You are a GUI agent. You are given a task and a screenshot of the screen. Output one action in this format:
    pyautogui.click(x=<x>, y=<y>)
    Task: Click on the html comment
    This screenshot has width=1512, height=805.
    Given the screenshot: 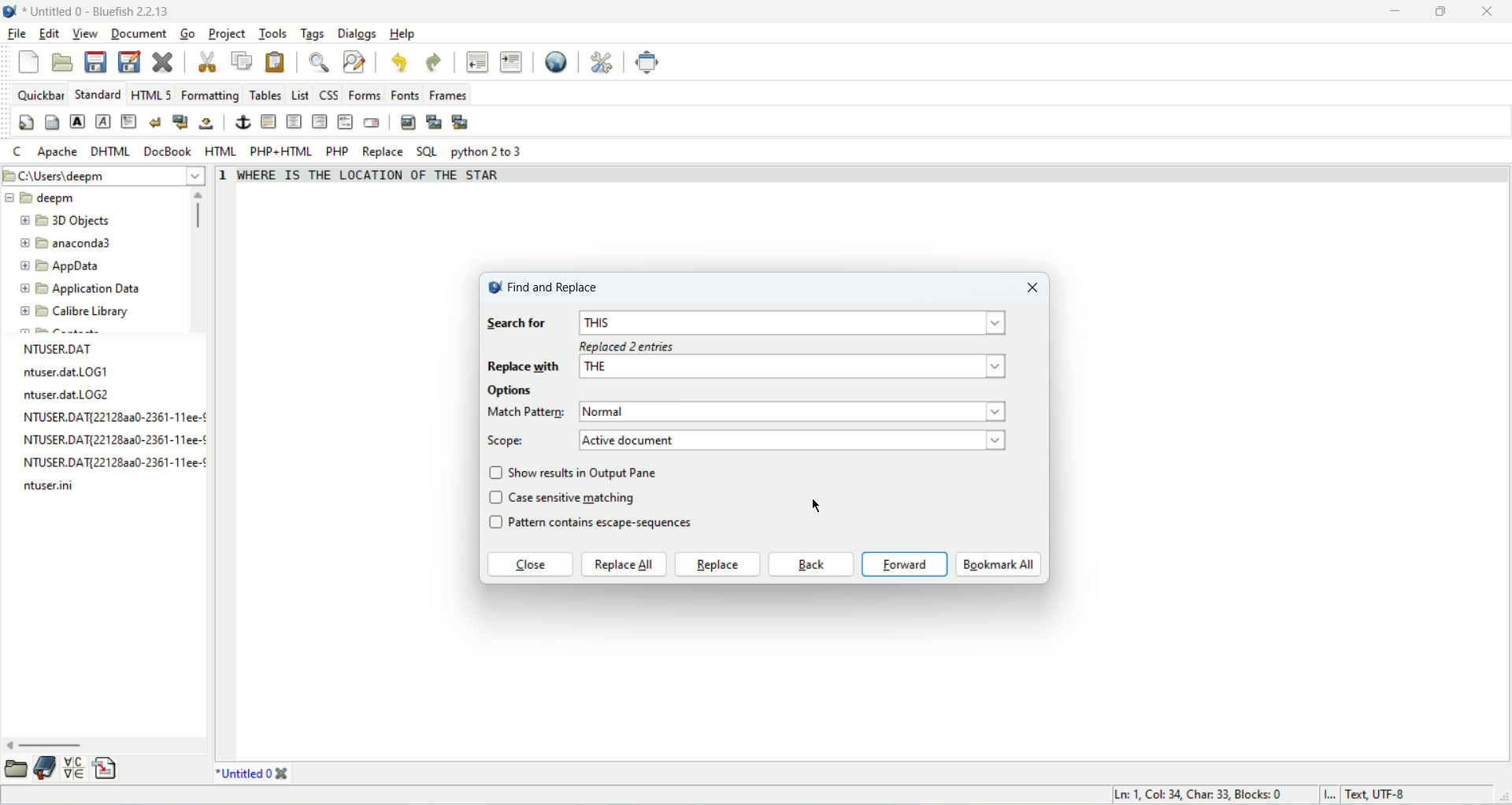 What is the action you would take?
    pyautogui.click(x=346, y=123)
    